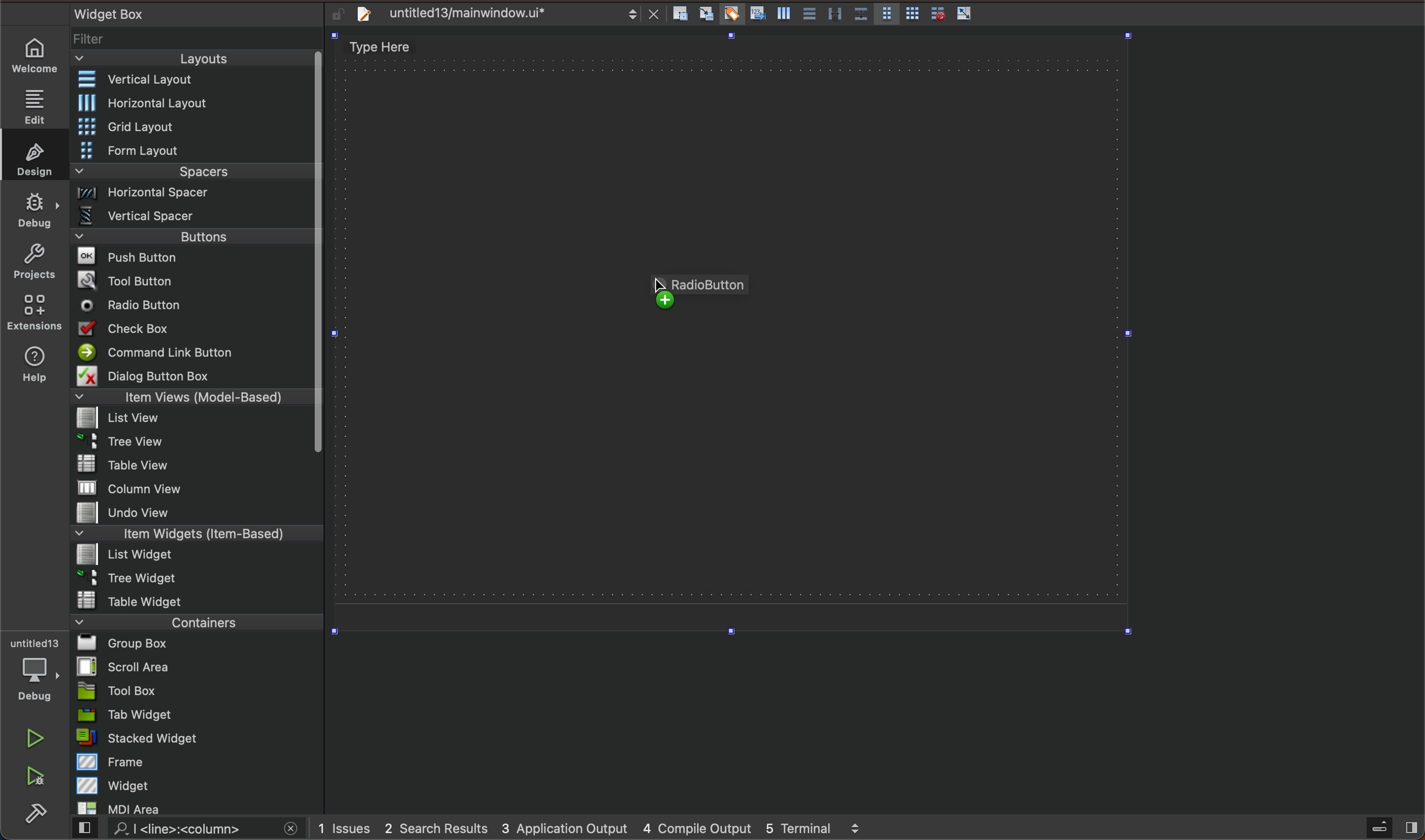 This screenshot has height=840, width=1425. Describe the element at coordinates (37, 738) in the screenshot. I see `run` at that location.